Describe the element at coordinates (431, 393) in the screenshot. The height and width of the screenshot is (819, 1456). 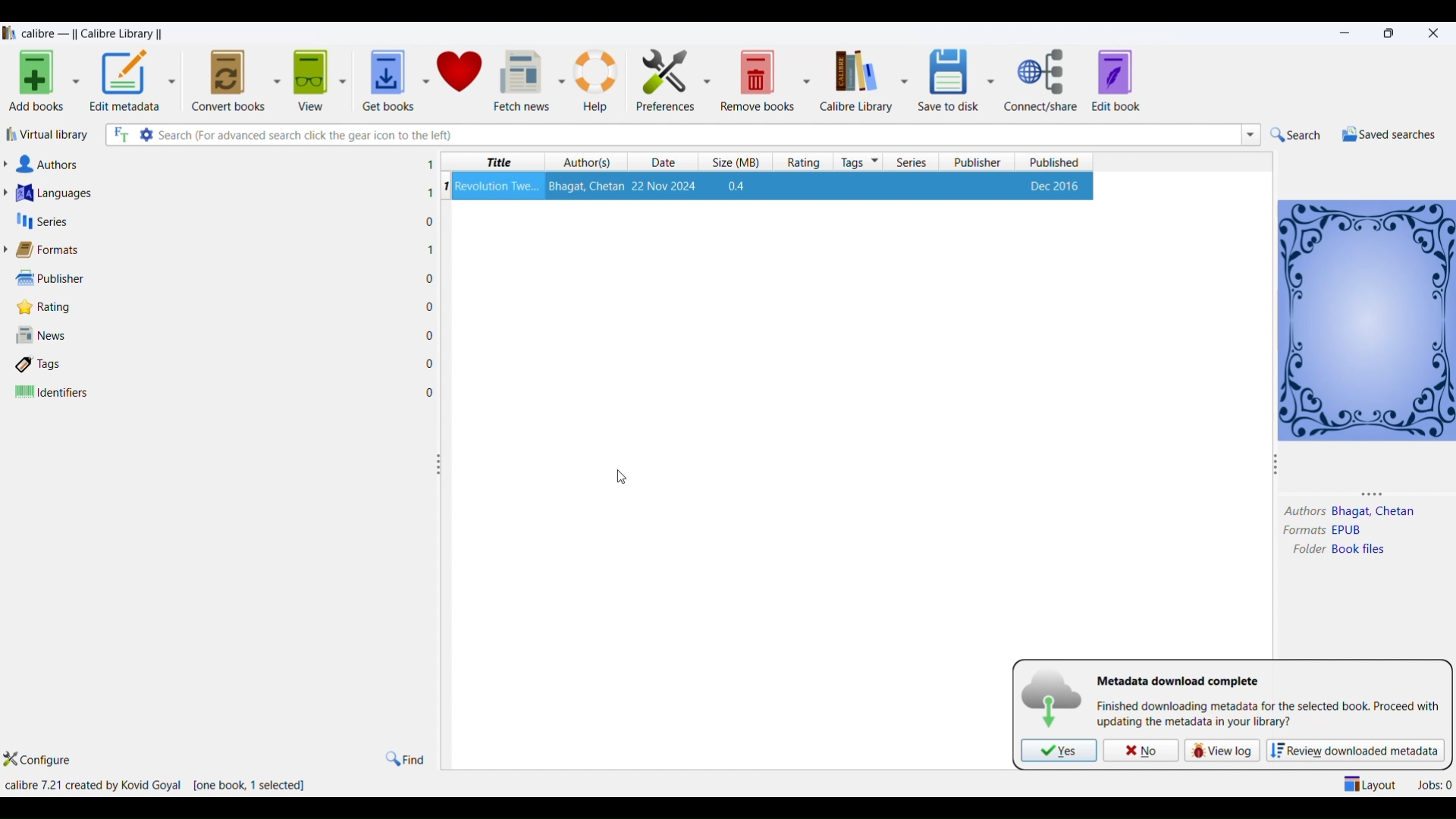
I see `0` at that location.